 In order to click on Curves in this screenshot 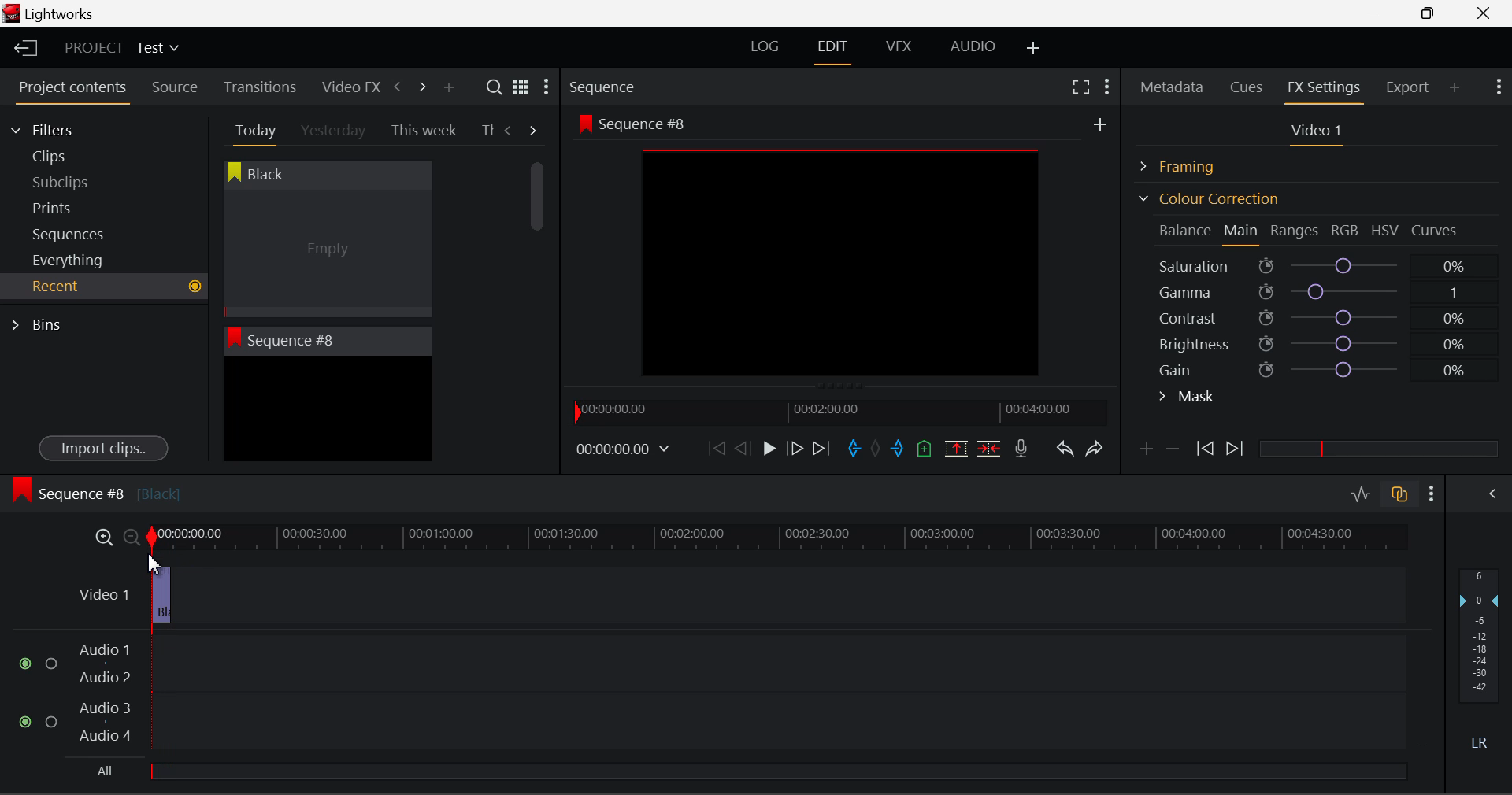, I will do `click(1436, 230)`.